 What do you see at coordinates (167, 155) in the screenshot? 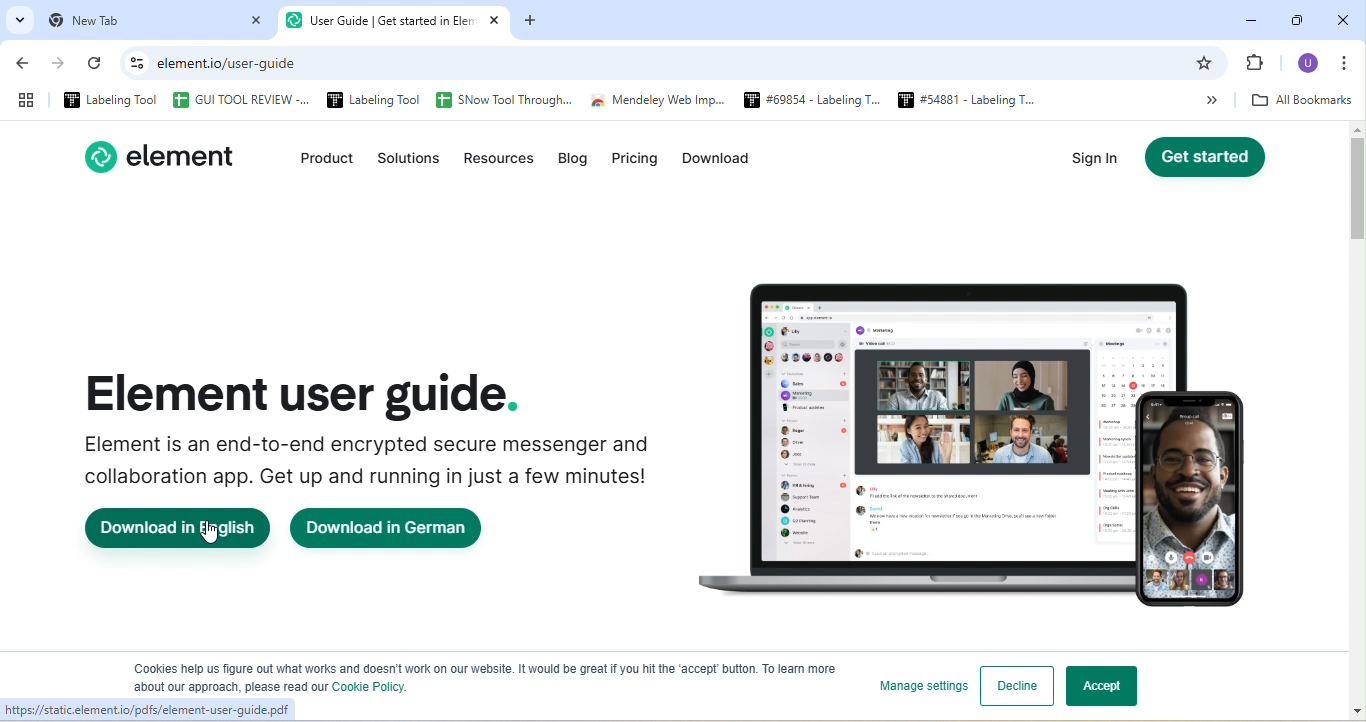
I see `element` at bounding box center [167, 155].